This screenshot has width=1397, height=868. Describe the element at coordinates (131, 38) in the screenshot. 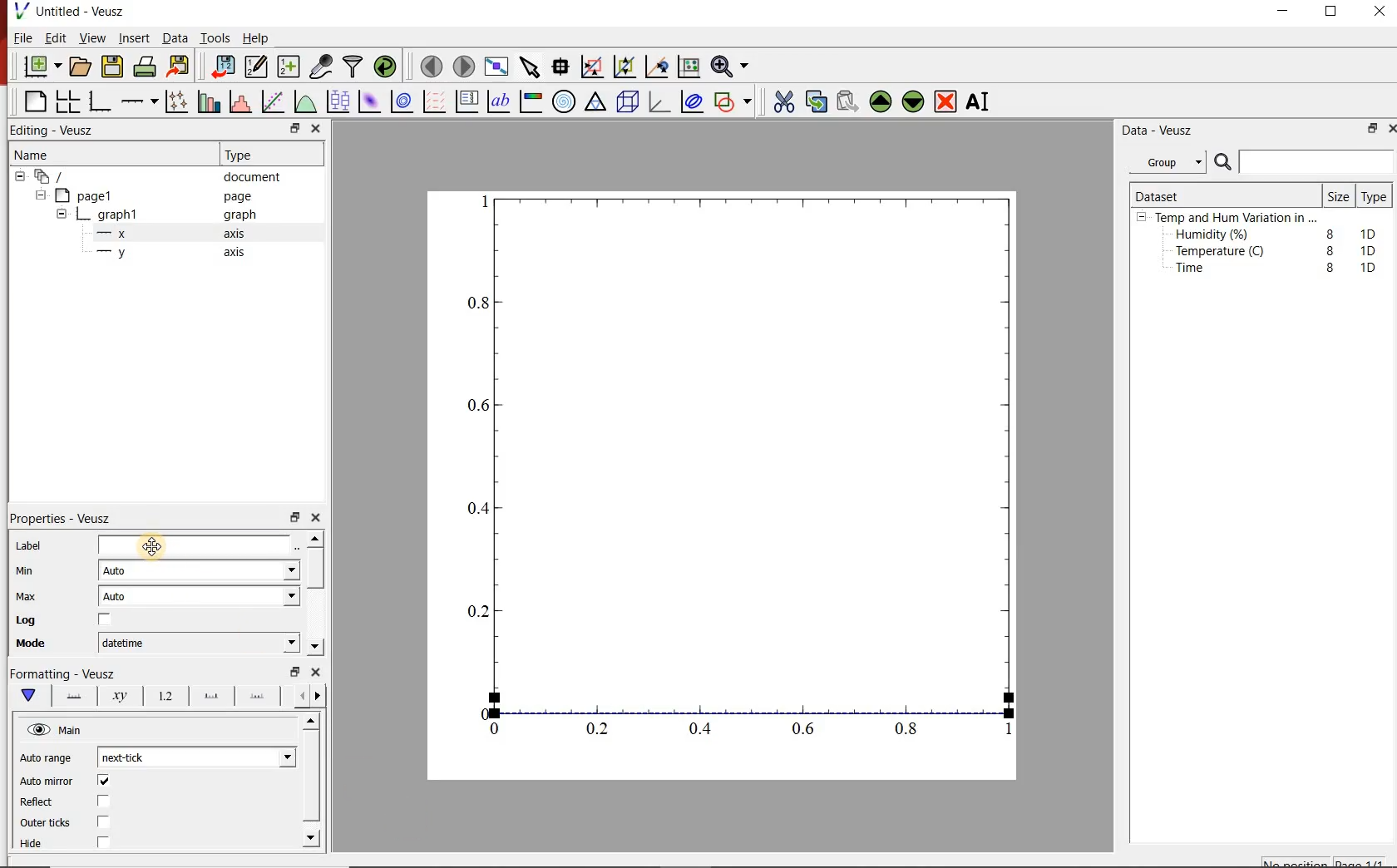

I see `Insert` at that location.